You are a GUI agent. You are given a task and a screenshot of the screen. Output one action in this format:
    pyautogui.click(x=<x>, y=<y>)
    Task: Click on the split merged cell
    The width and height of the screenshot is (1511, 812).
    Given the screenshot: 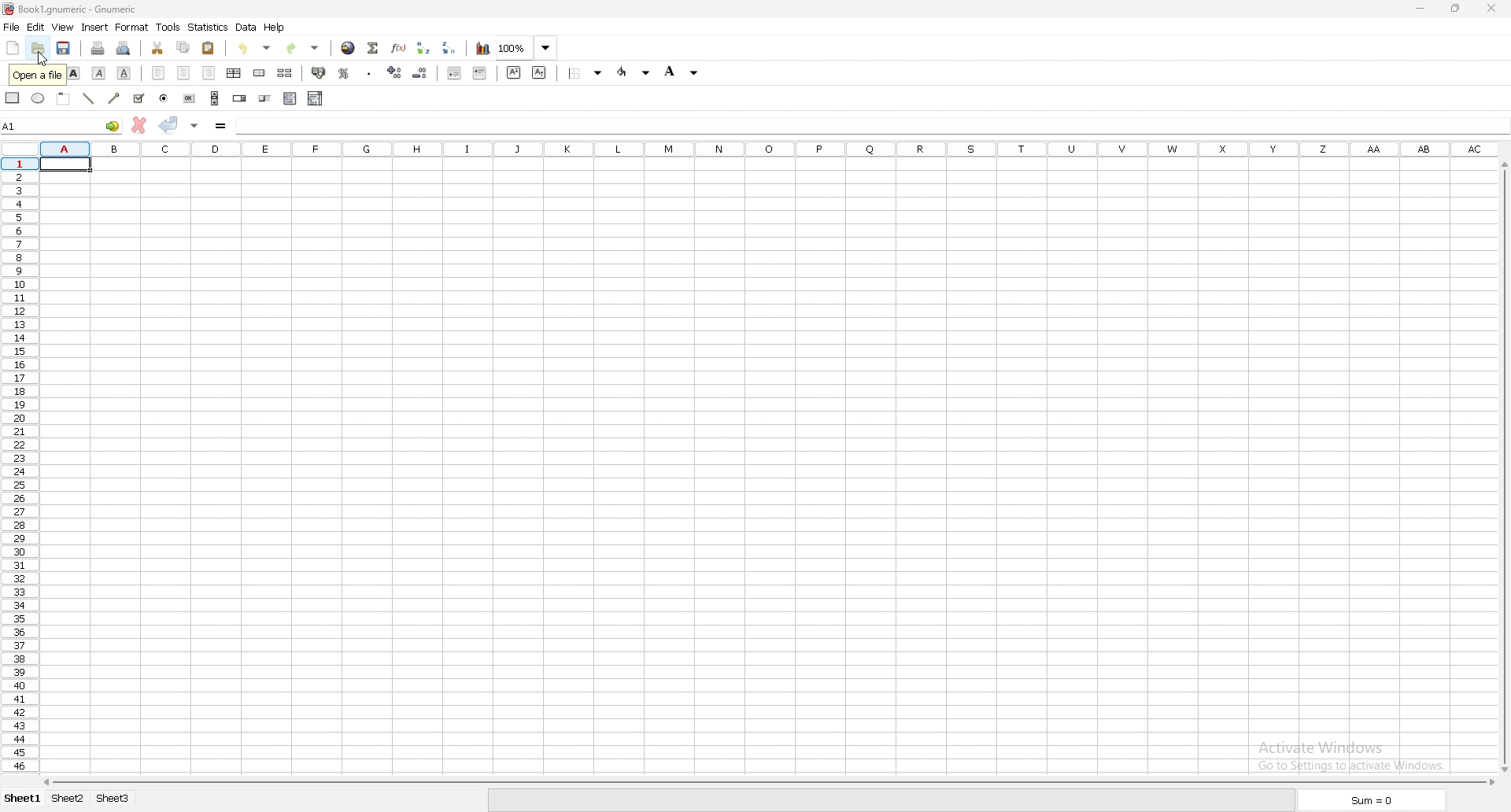 What is the action you would take?
    pyautogui.click(x=285, y=73)
    